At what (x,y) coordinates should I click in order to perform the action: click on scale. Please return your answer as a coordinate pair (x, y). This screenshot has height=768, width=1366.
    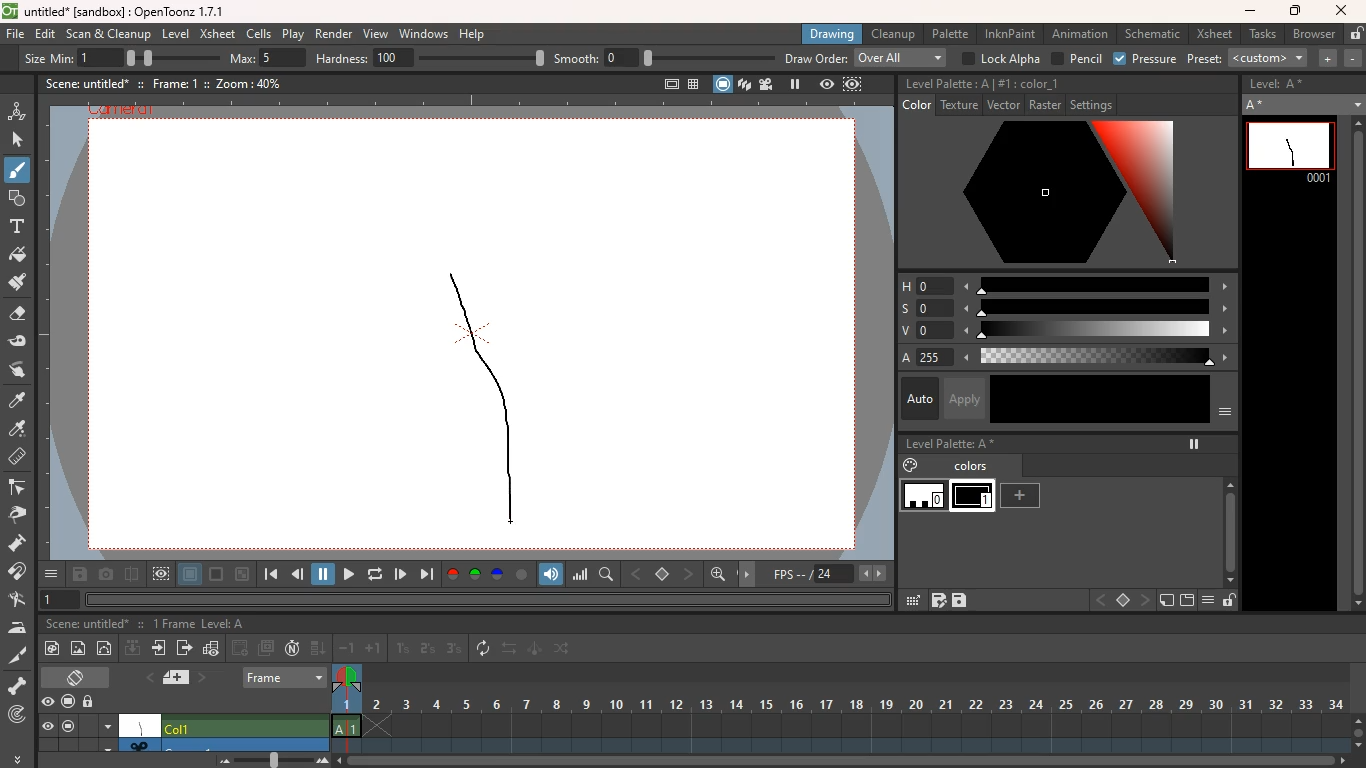
    Looking at the image, I should click on (1096, 284).